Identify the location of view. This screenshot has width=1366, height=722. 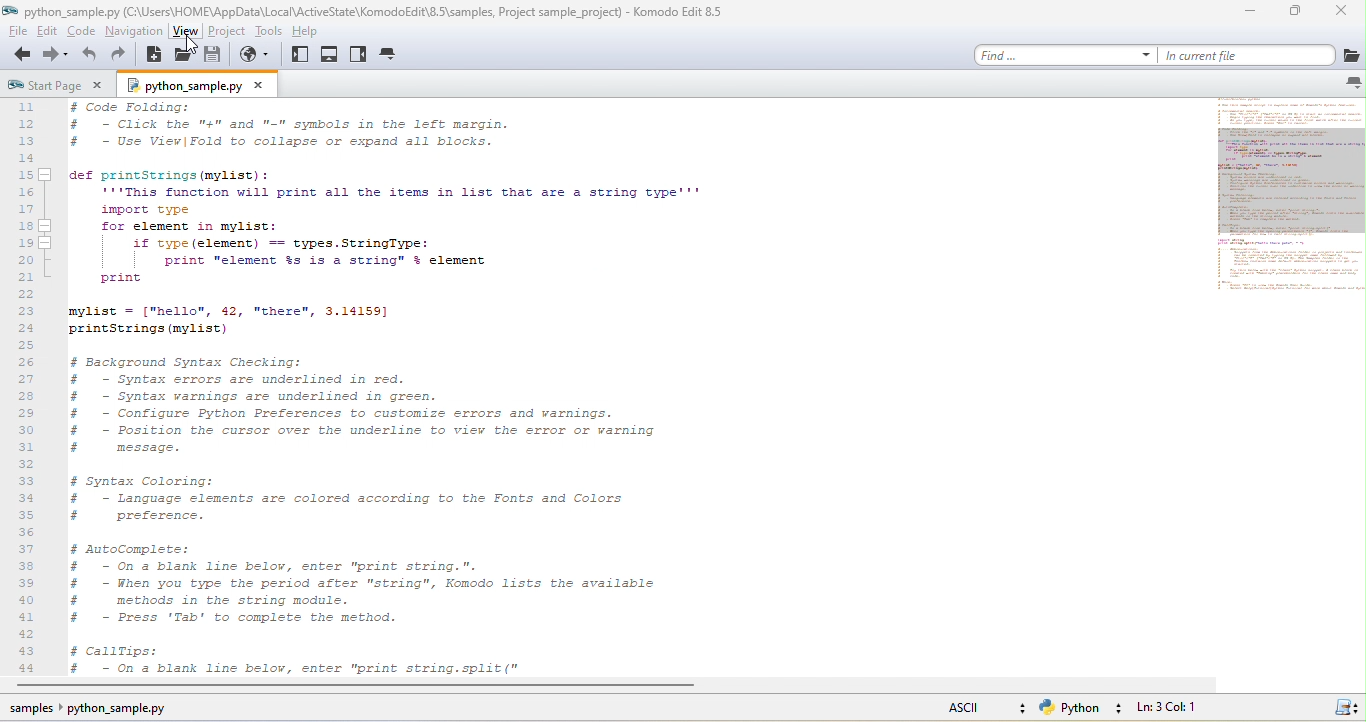
(187, 35).